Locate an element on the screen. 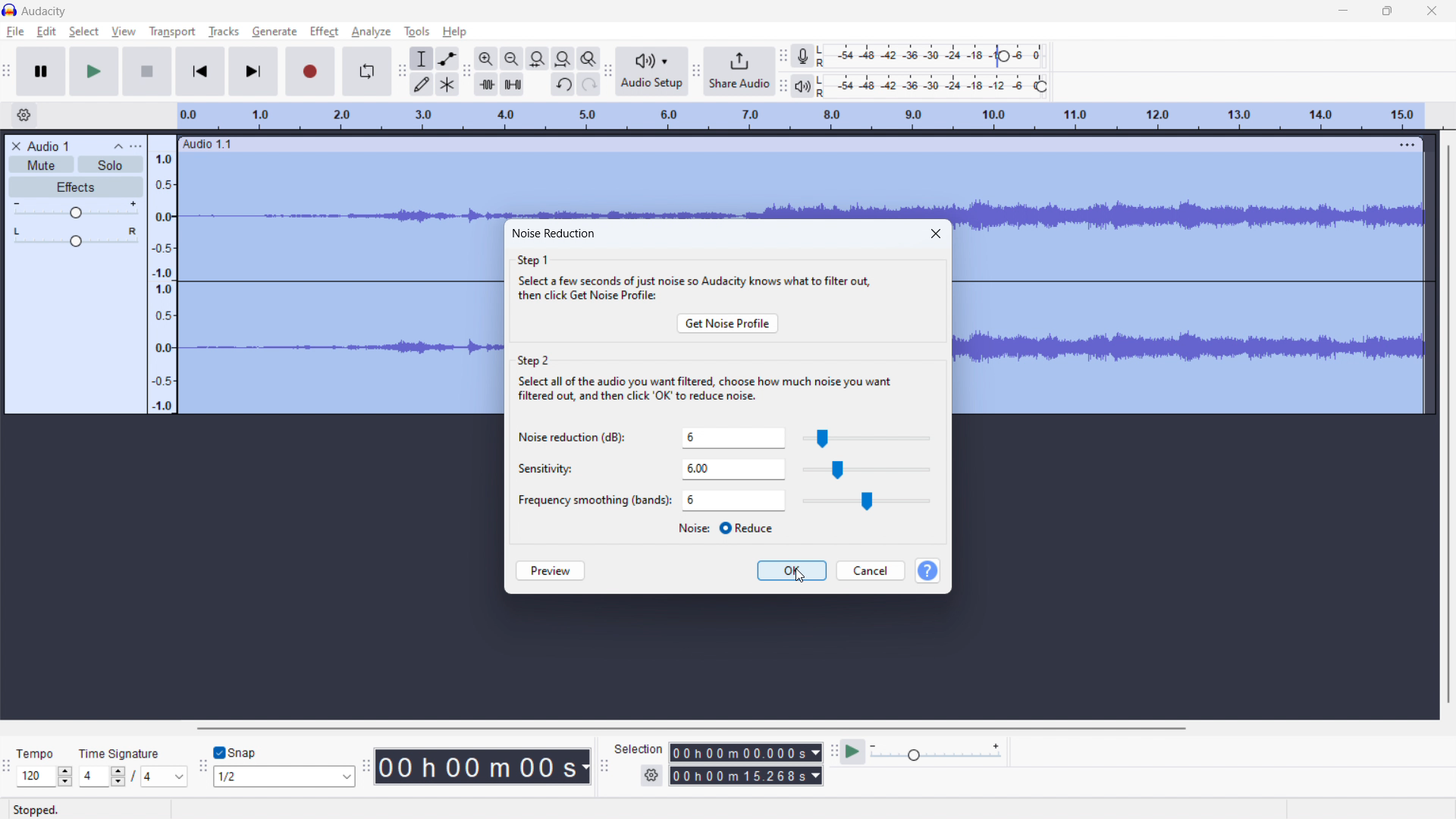 The height and width of the screenshot is (819, 1456). get noise profile is located at coordinates (727, 323).